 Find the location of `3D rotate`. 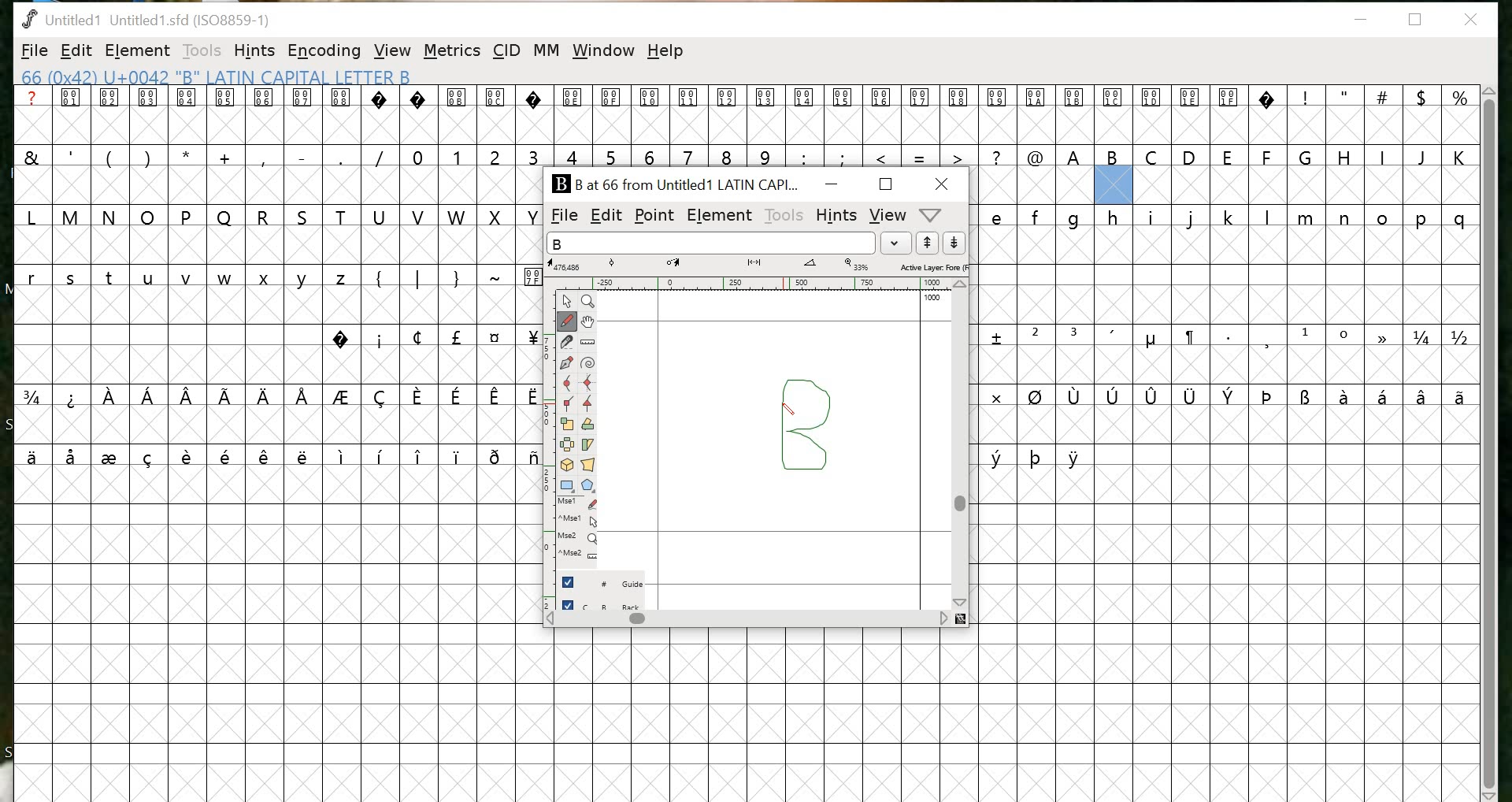

3D rotate is located at coordinates (568, 467).